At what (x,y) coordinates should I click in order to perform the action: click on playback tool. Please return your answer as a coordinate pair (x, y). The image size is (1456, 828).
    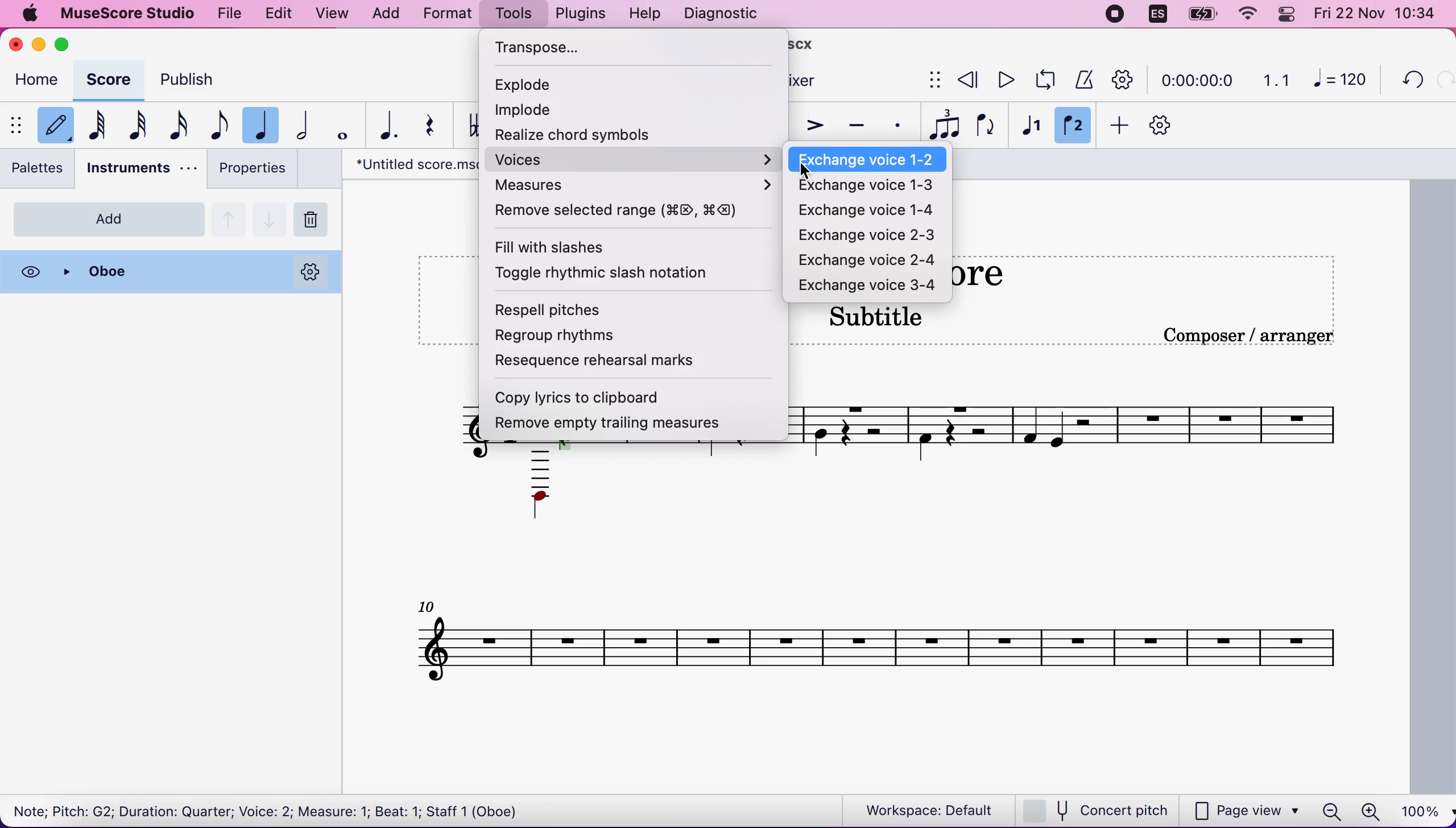
    Looking at the image, I should click on (1127, 77).